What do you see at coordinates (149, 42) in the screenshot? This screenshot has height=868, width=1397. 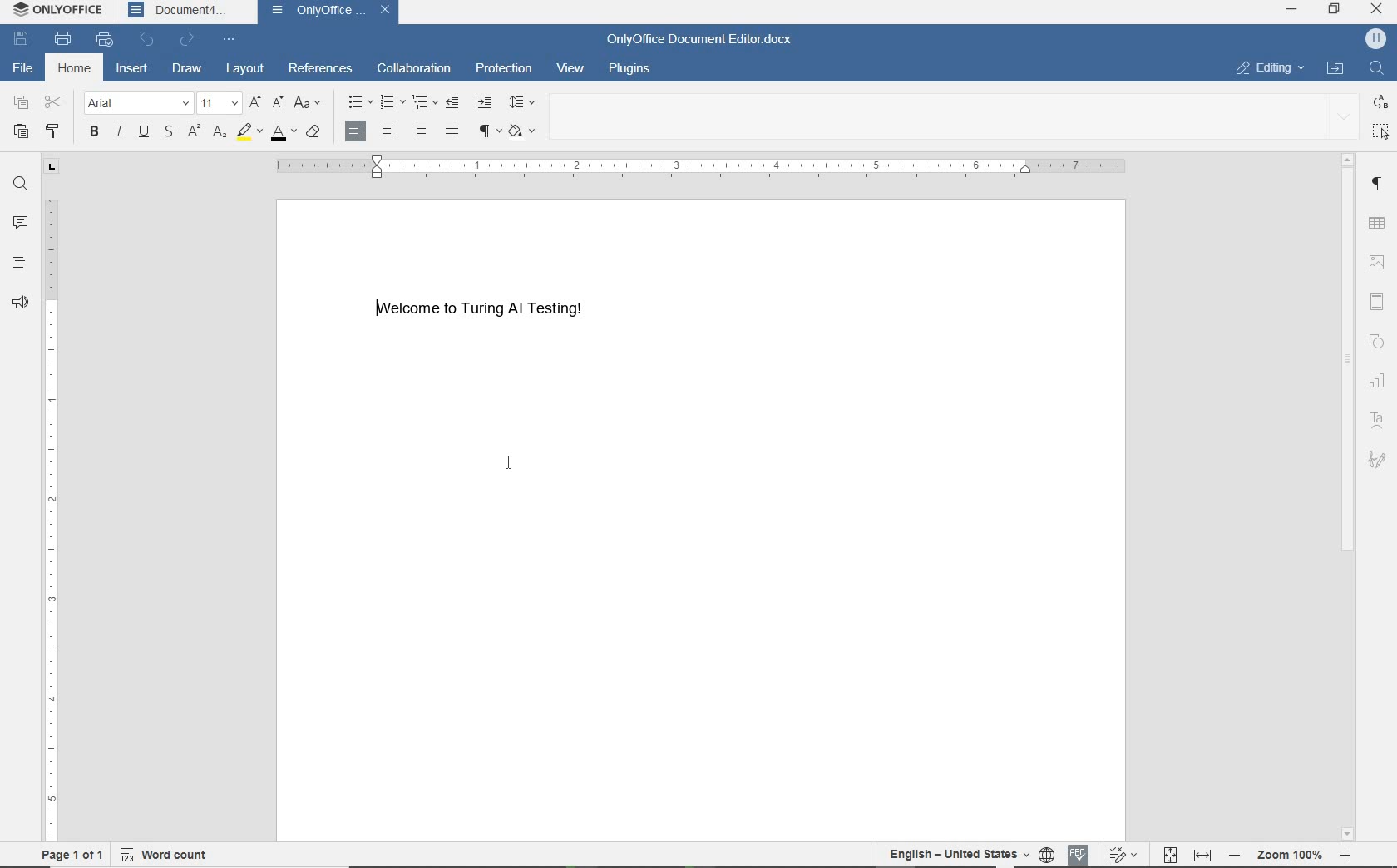 I see `undo` at bounding box center [149, 42].